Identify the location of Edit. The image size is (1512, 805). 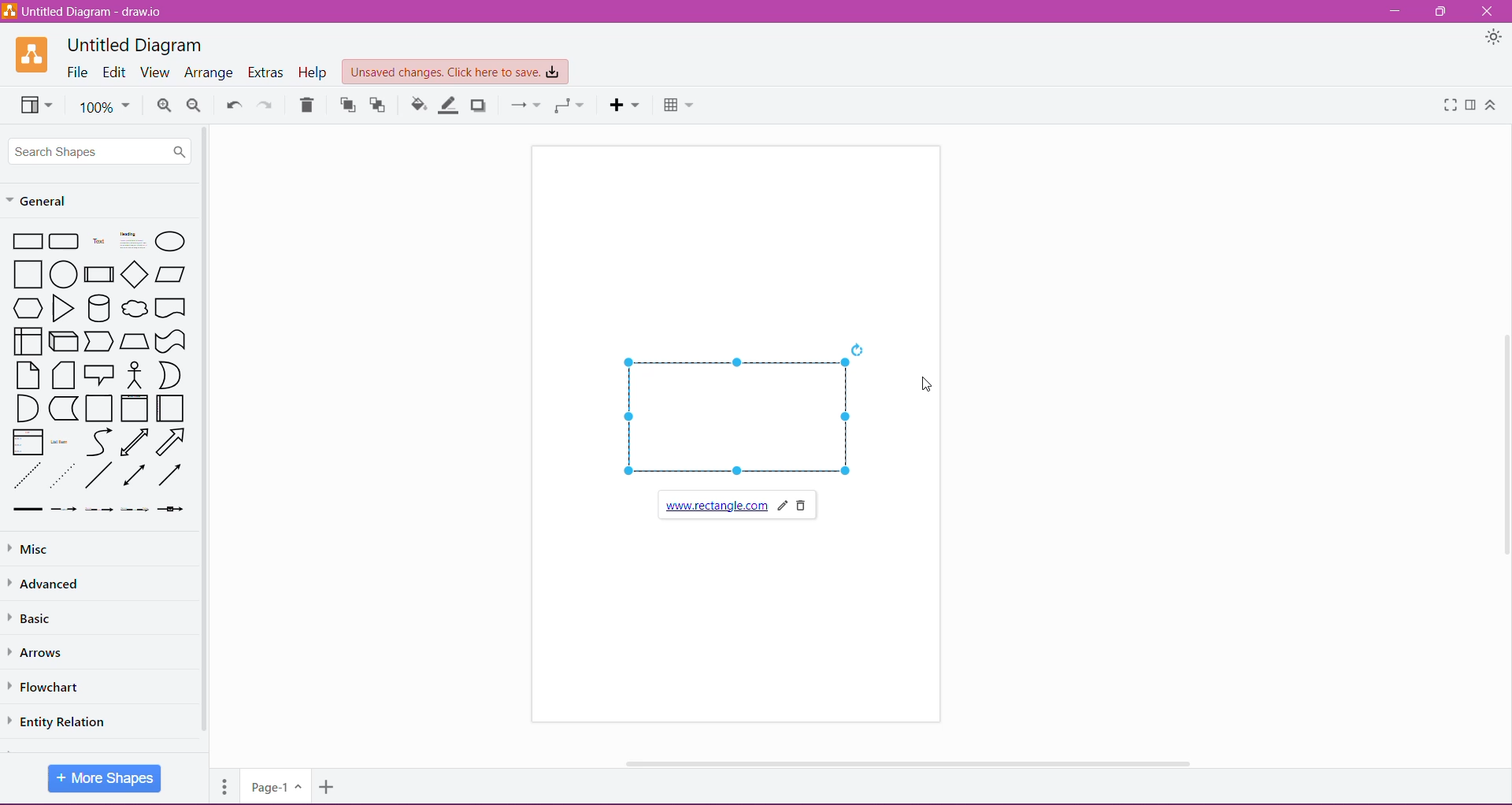
(114, 72).